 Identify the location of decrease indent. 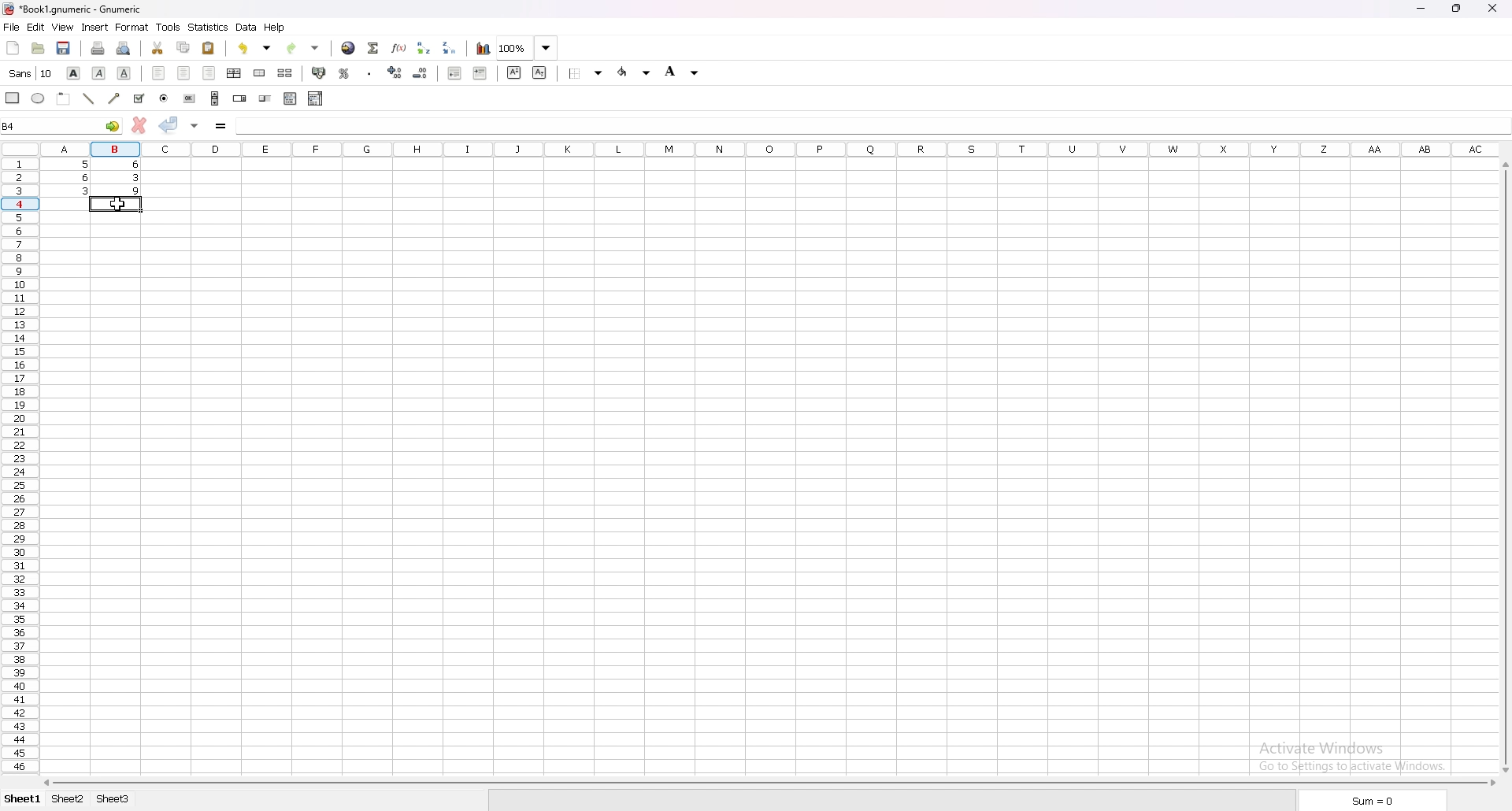
(454, 72).